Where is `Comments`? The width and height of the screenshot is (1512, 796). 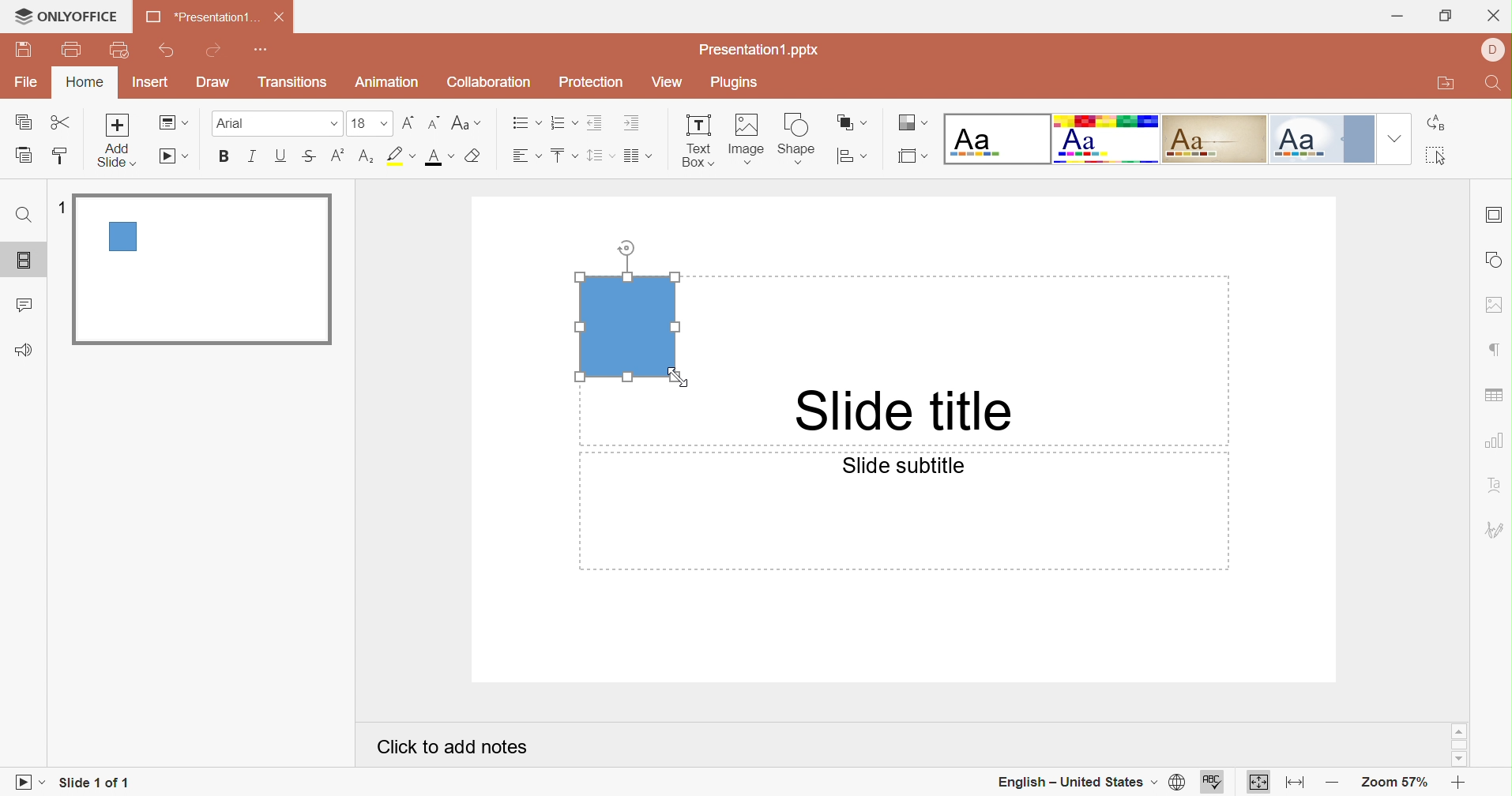
Comments is located at coordinates (23, 307).